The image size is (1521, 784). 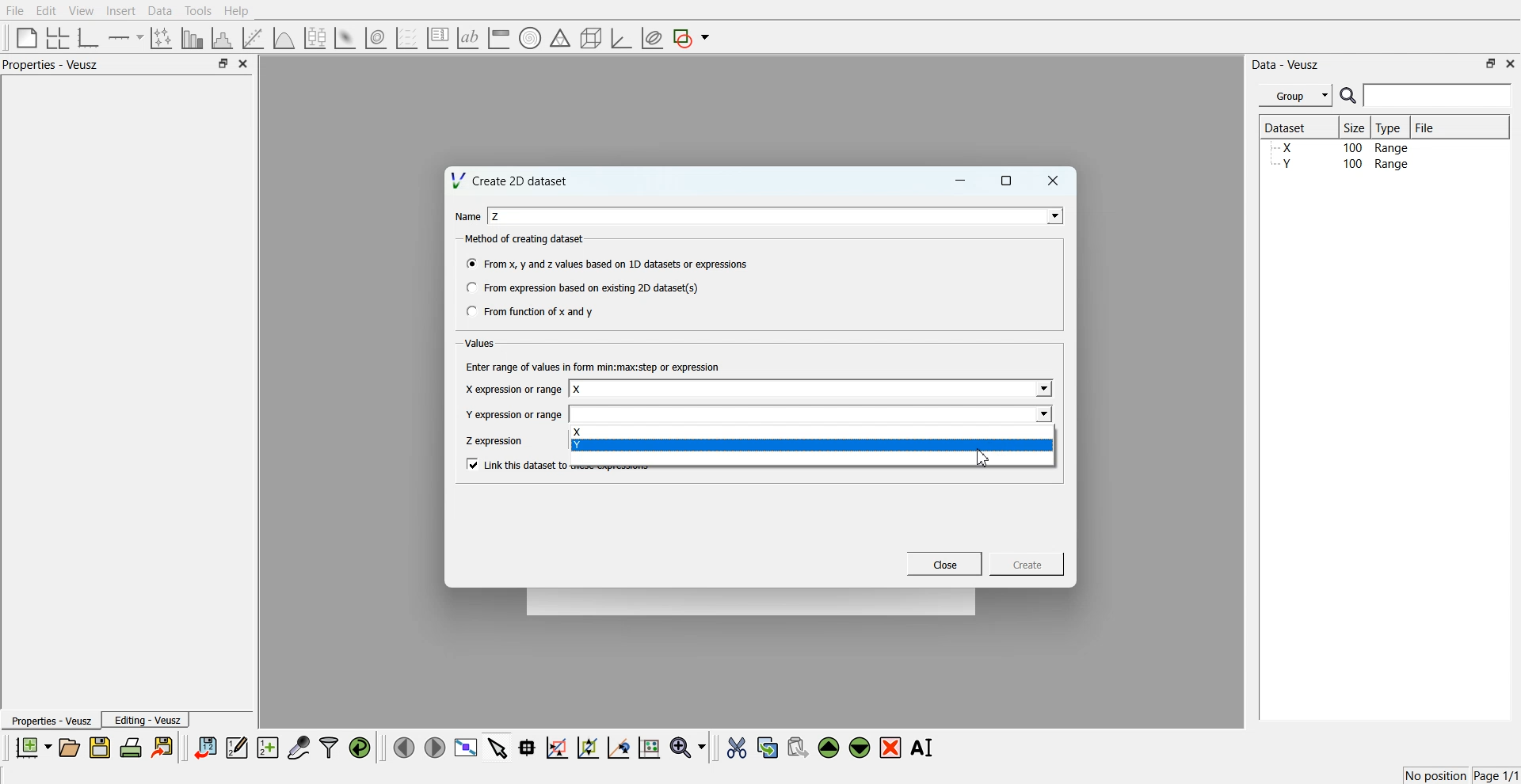 I want to click on Reload linked dataset, so click(x=360, y=748).